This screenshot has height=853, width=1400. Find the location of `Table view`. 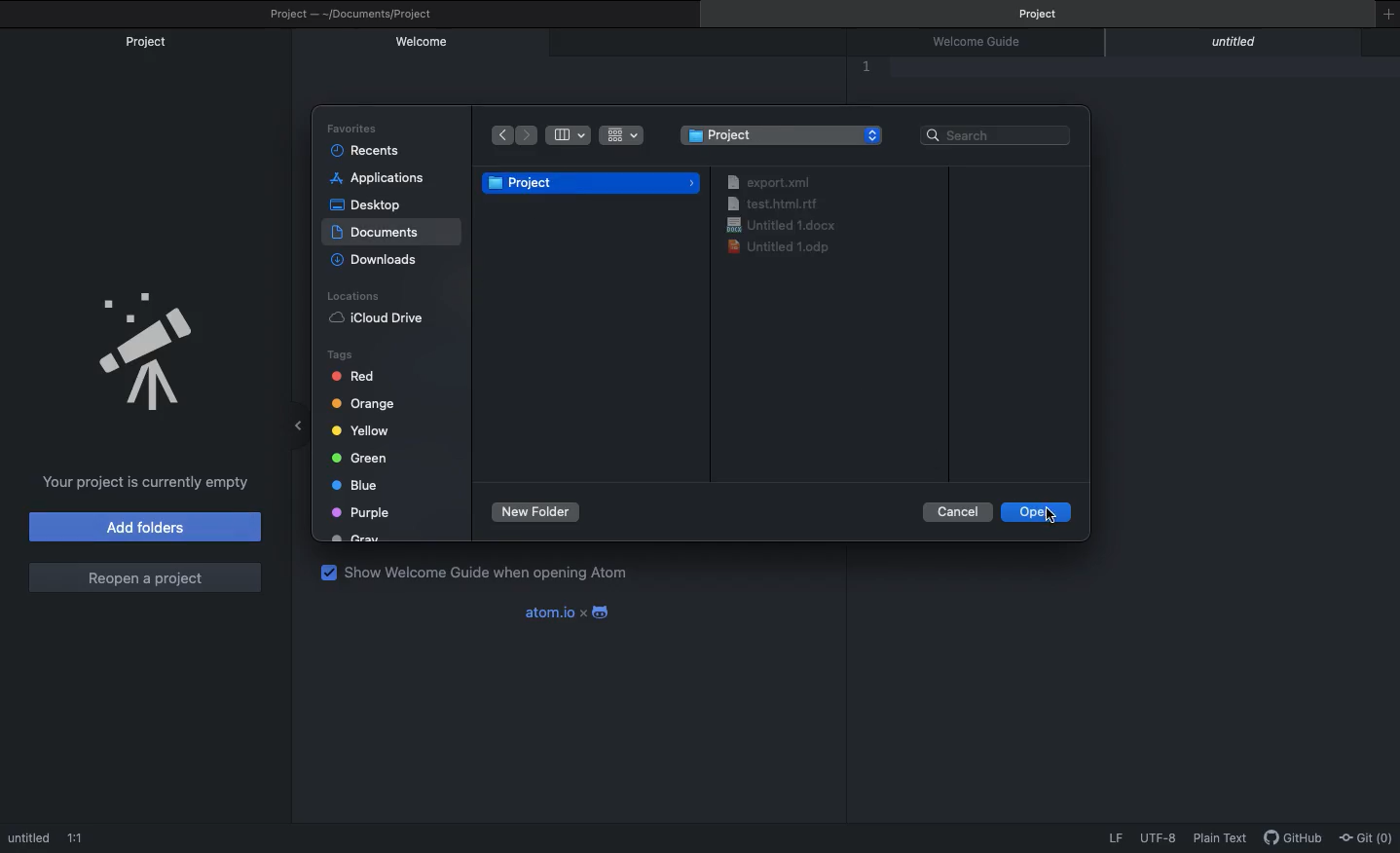

Table view is located at coordinates (568, 134).